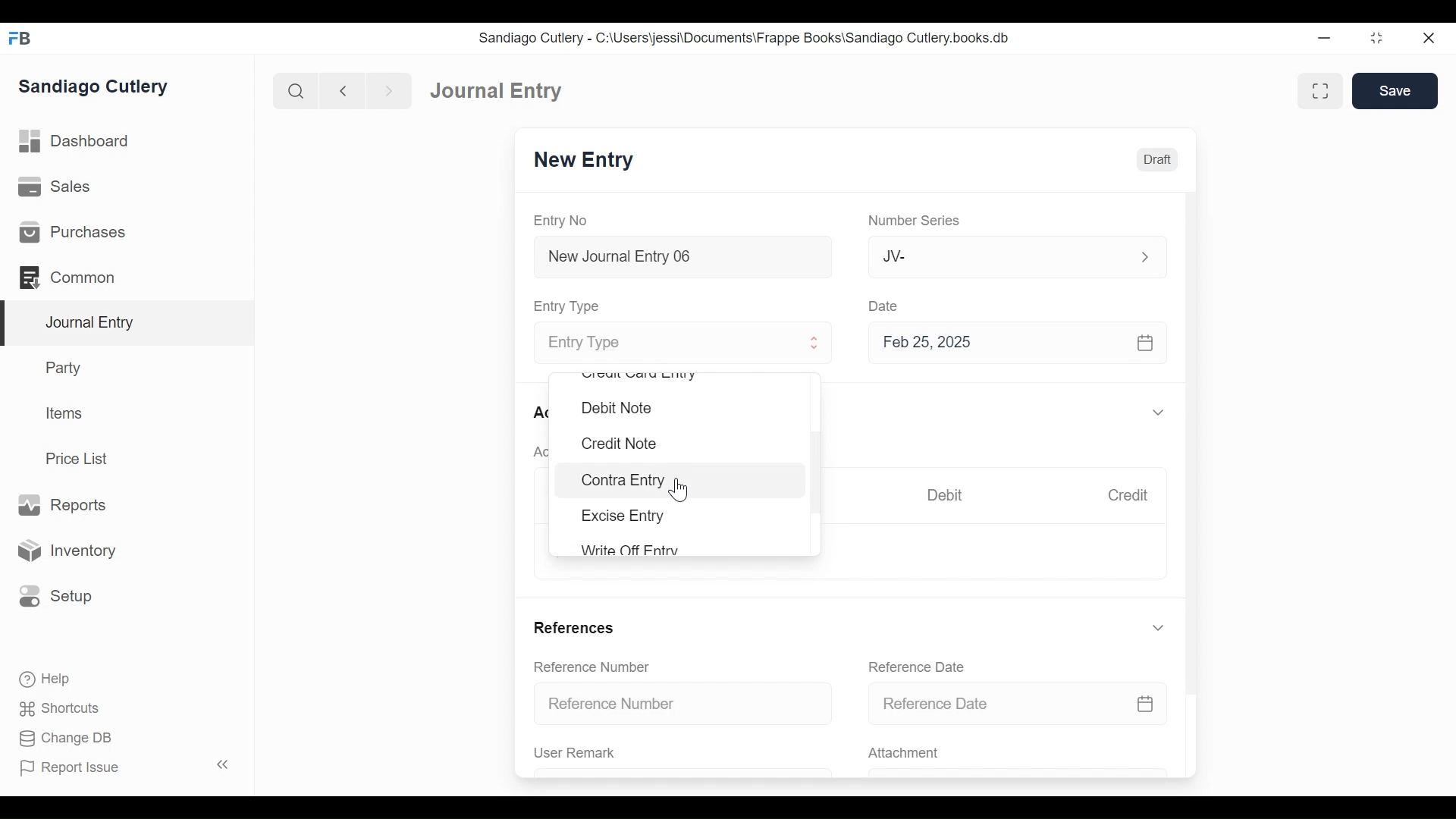 This screenshot has height=819, width=1456. I want to click on Journal Entry, so click(128, 324).